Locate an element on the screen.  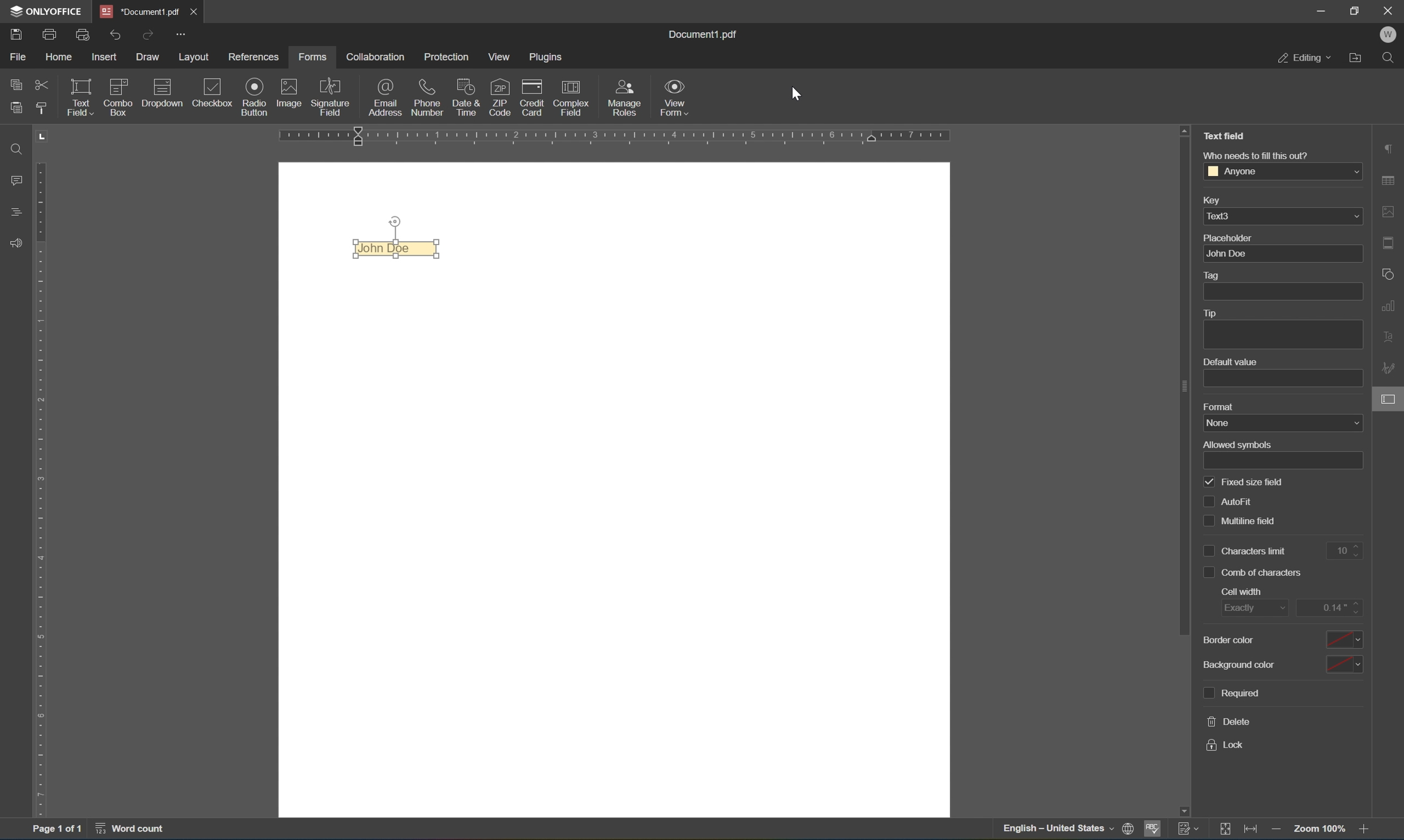
headings is located at coordinates (14, 212).